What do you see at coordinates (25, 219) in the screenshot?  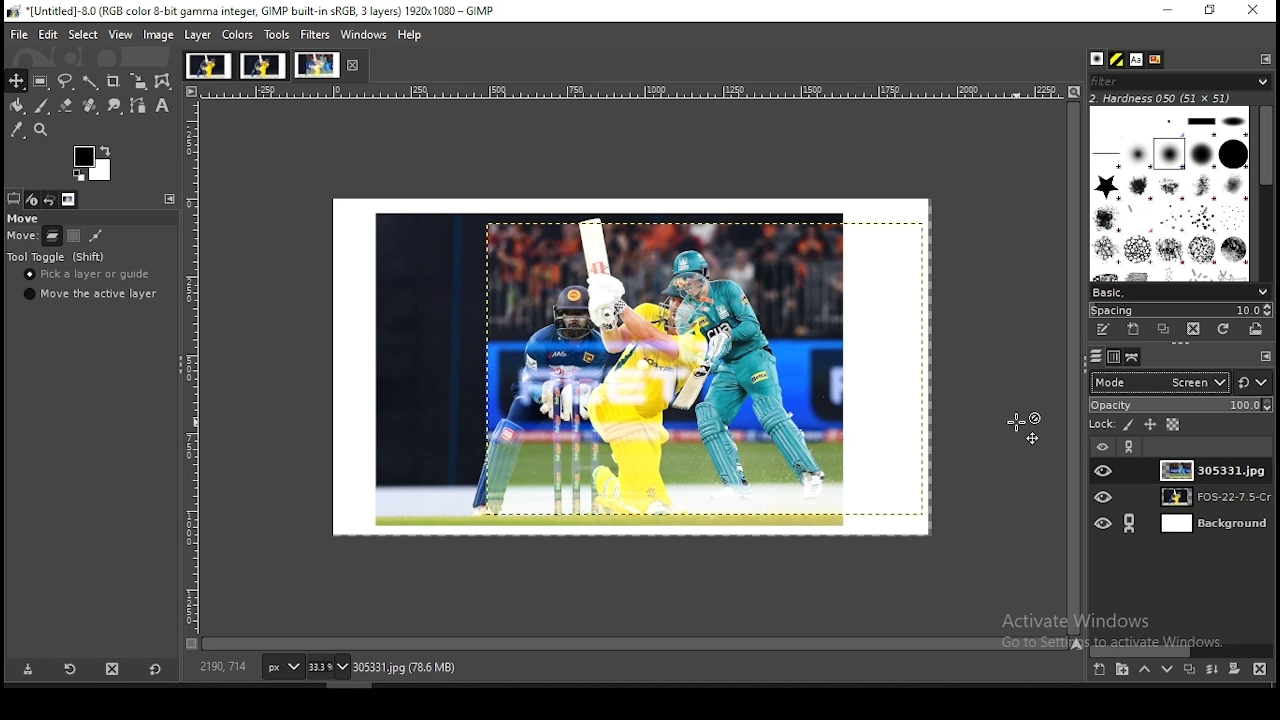 I see `move` at bounding box center [25, 219].